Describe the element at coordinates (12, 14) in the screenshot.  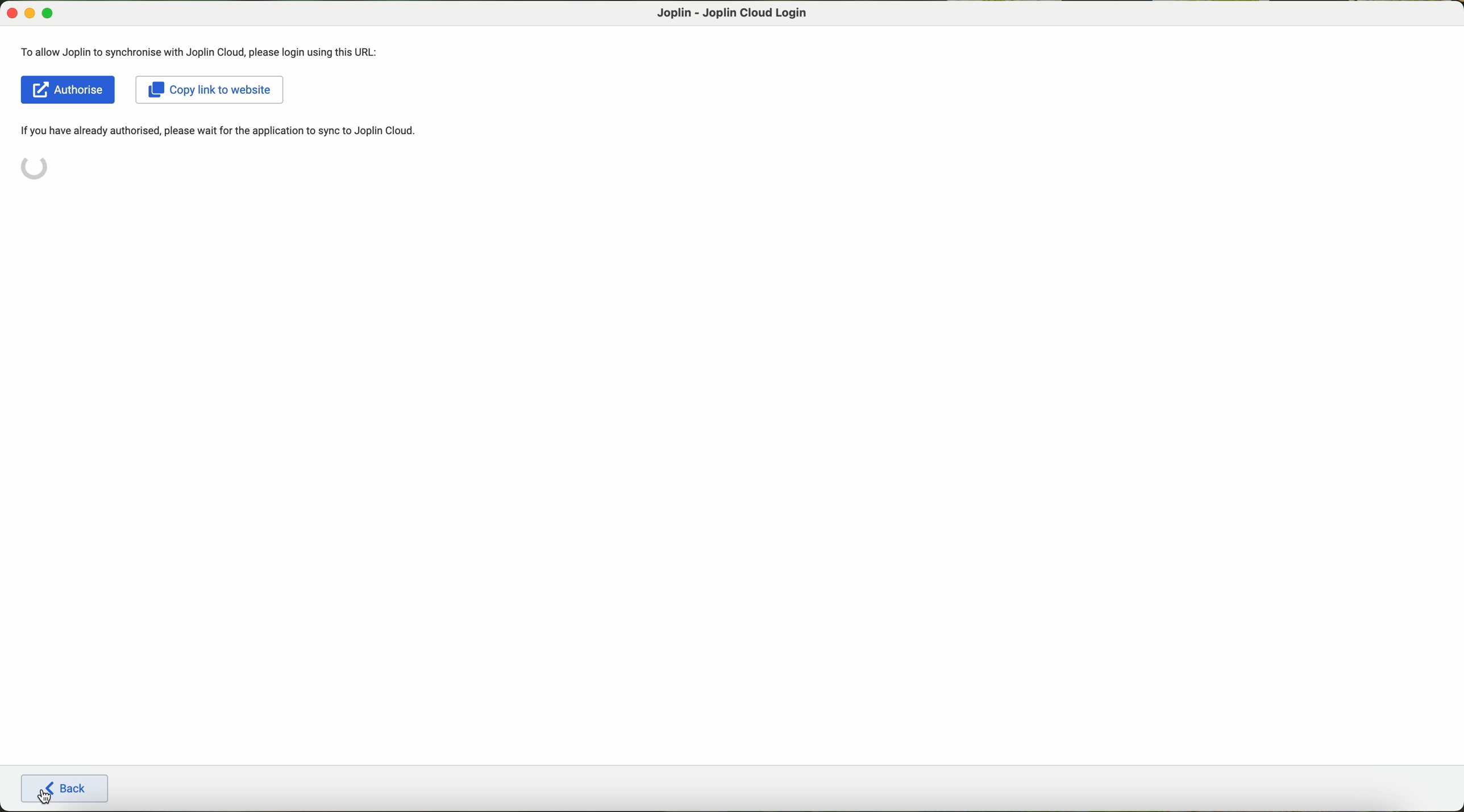
I see `close Joplin` at that location.